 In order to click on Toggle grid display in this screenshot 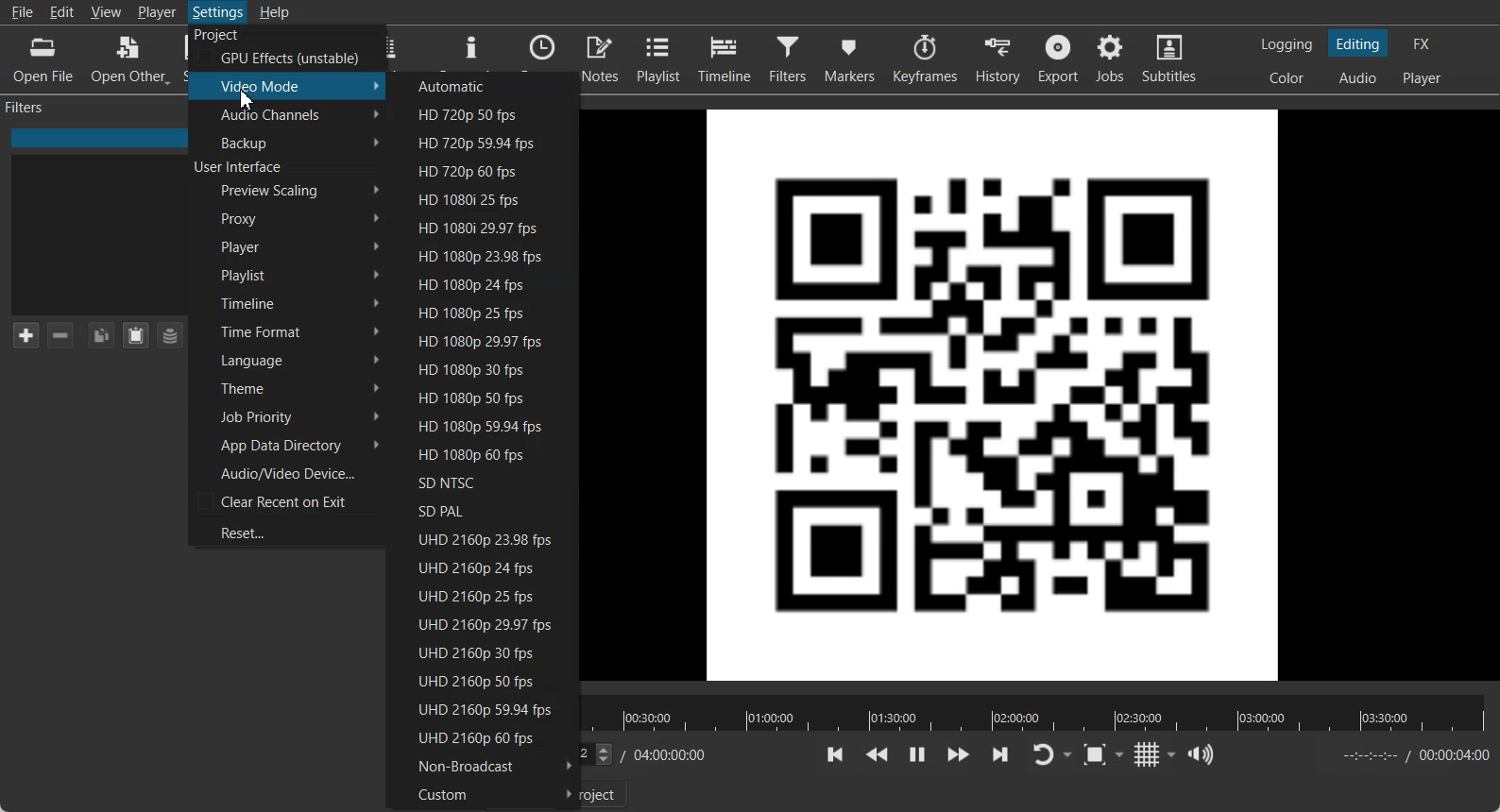, I will do `click(1156, 754)`.